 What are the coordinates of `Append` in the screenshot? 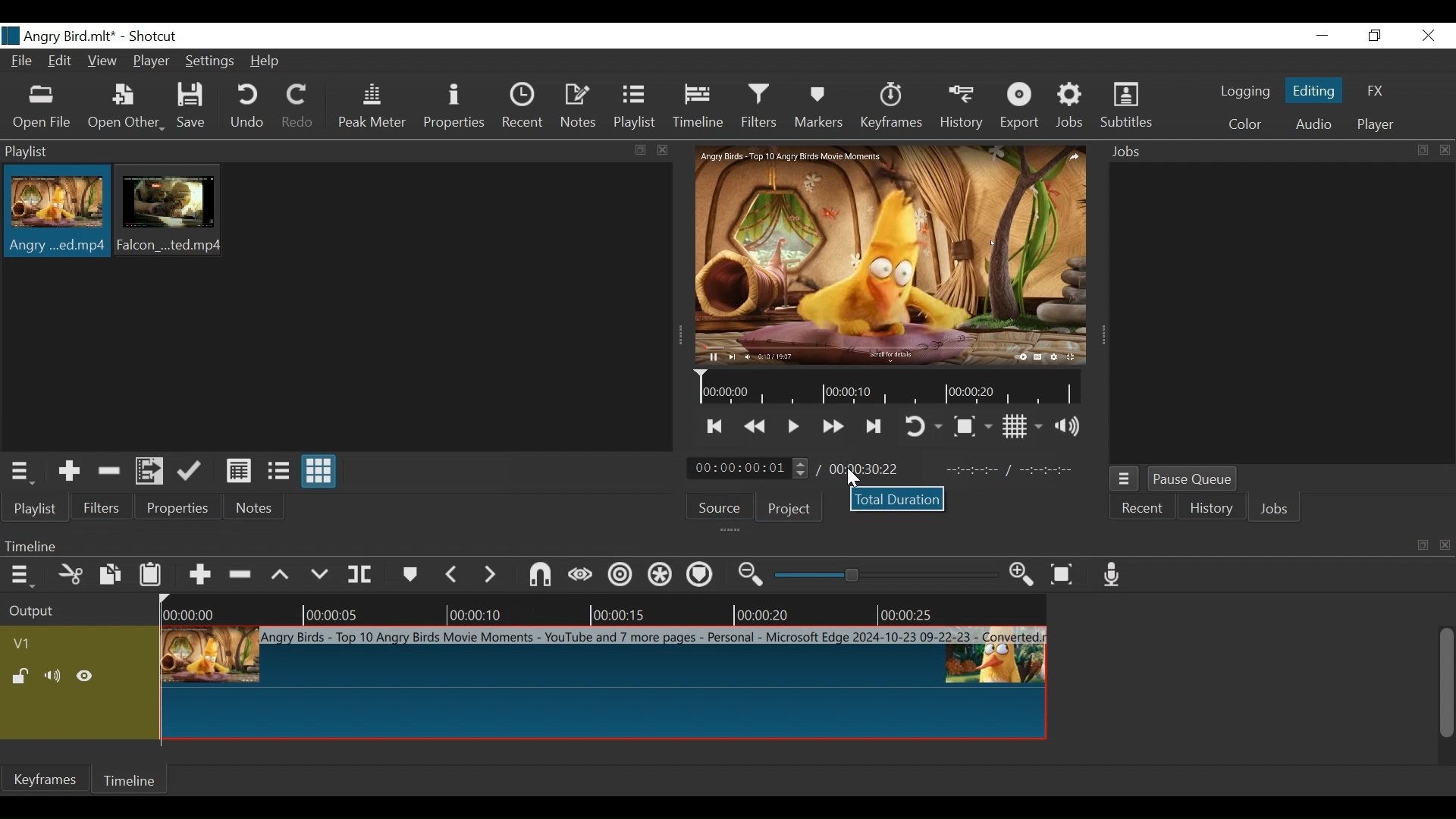 It's located at (202, 577).